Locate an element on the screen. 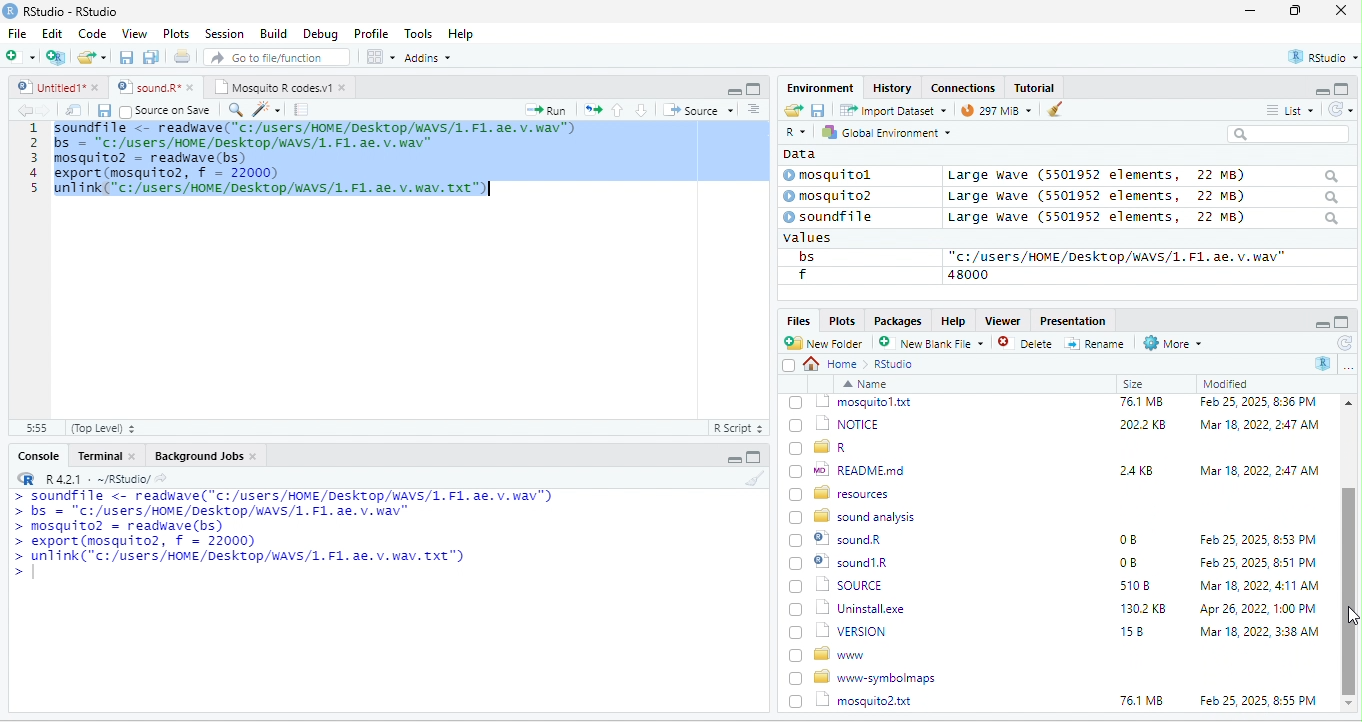 This screenshot has width=1362, height=722. 9 mb is located at coordinates (993, 112).